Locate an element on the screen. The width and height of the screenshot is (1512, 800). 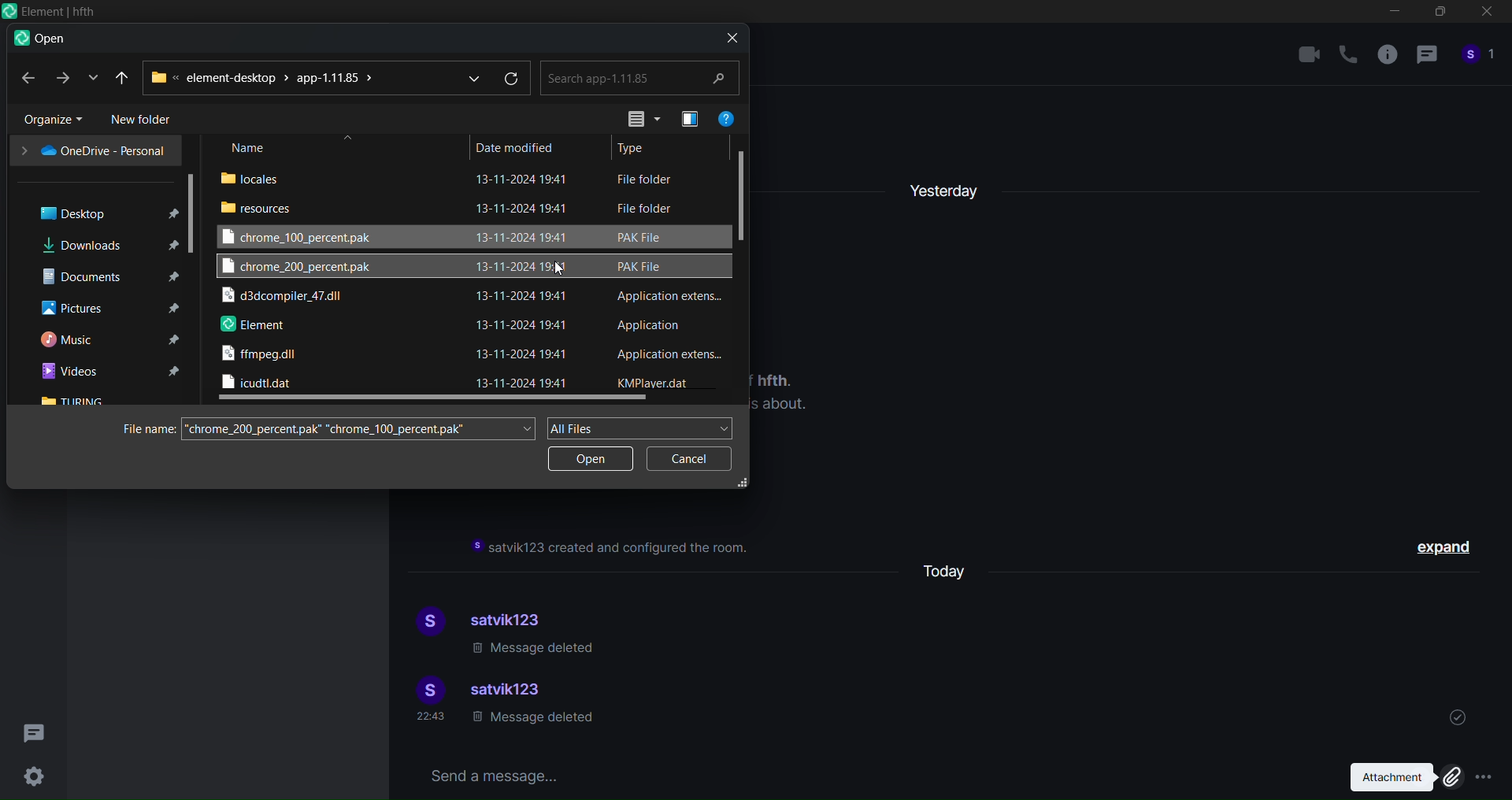
maximize is located at coordinates (1438, 15).